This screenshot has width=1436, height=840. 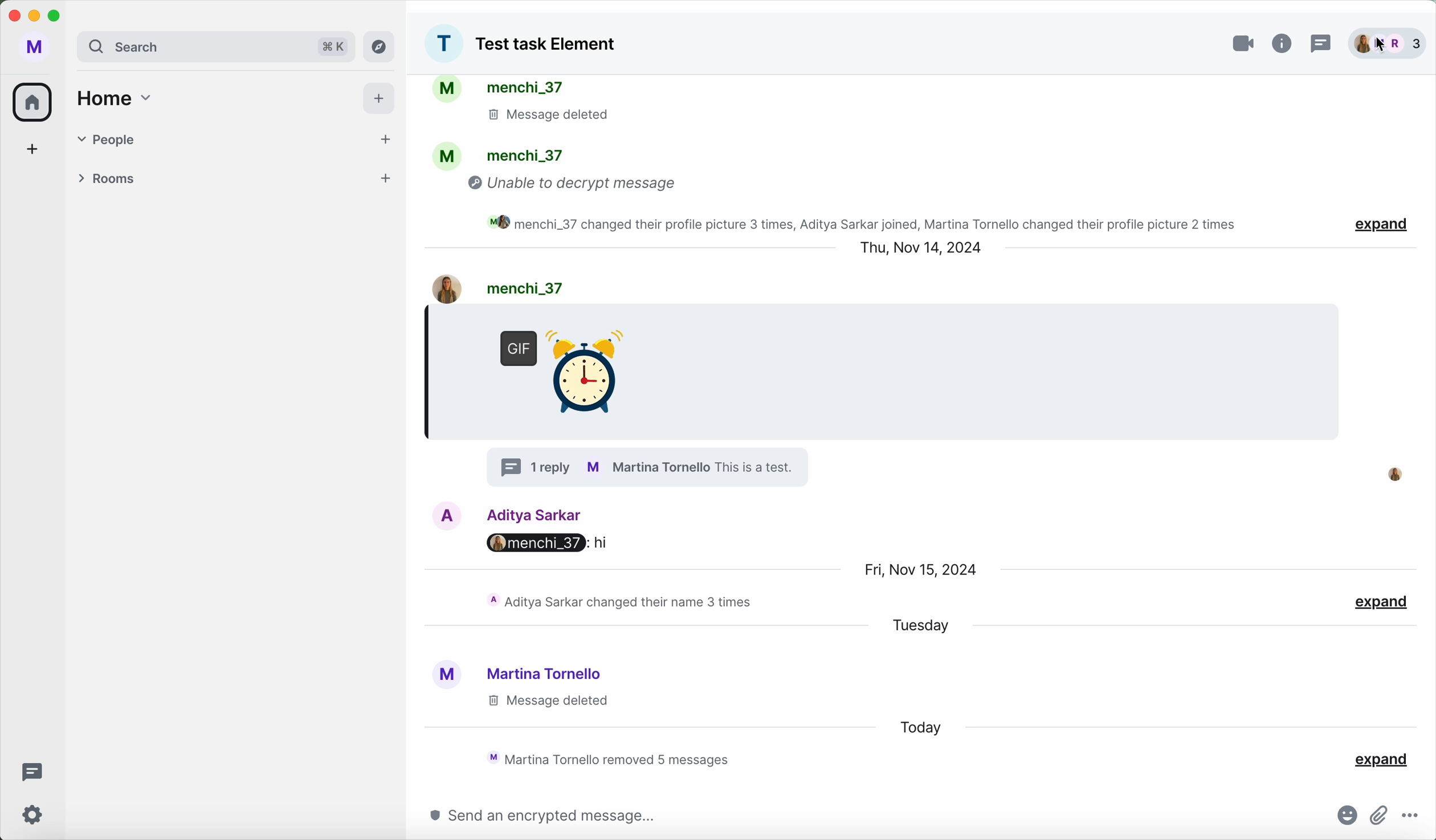 What do you see at coordinates (766, 467) in the screenshot?
I see `text` at bounding box center [766, 467].